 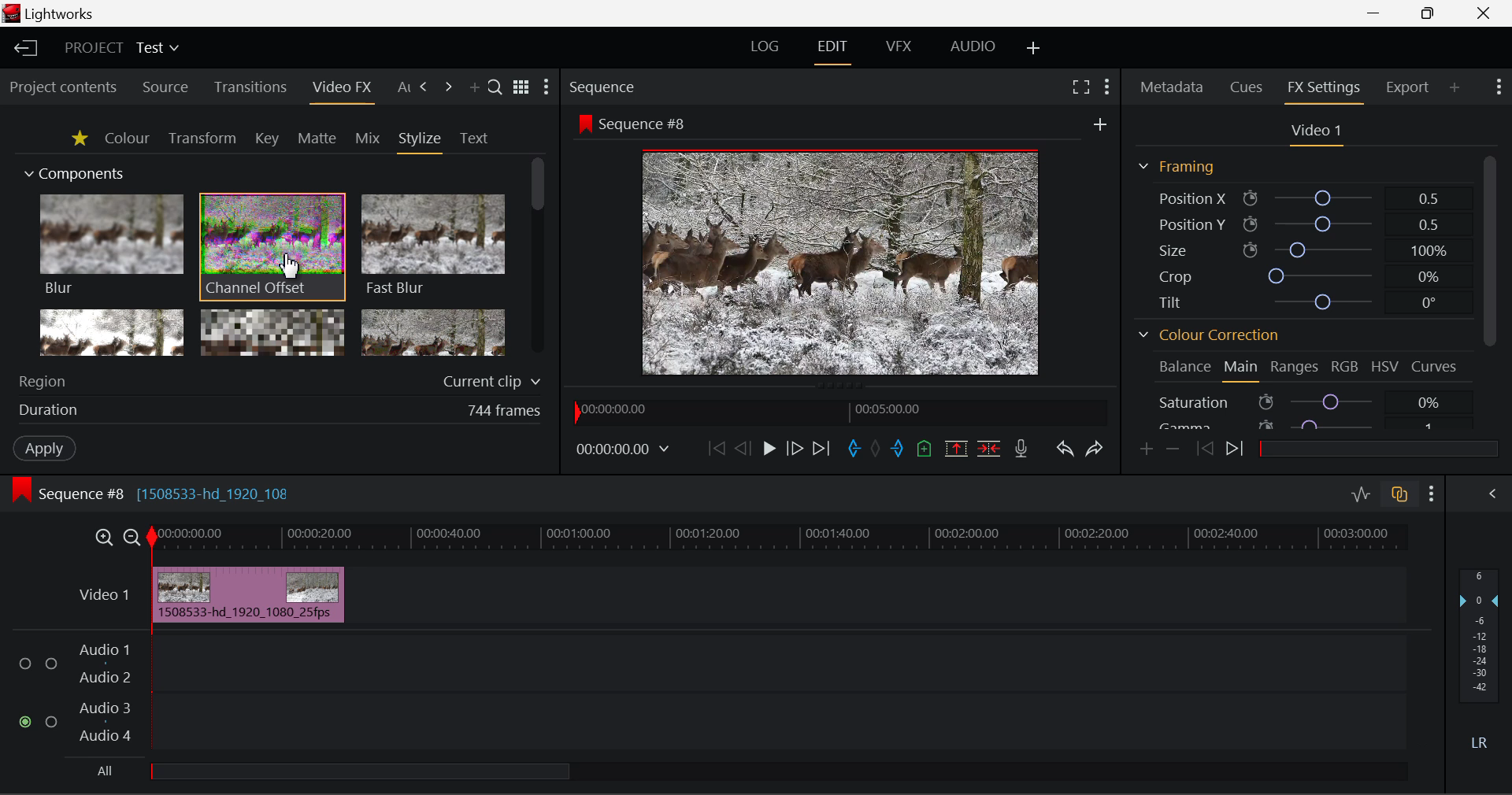 I want to click on Fast Blur, so click(x=434, y=246).